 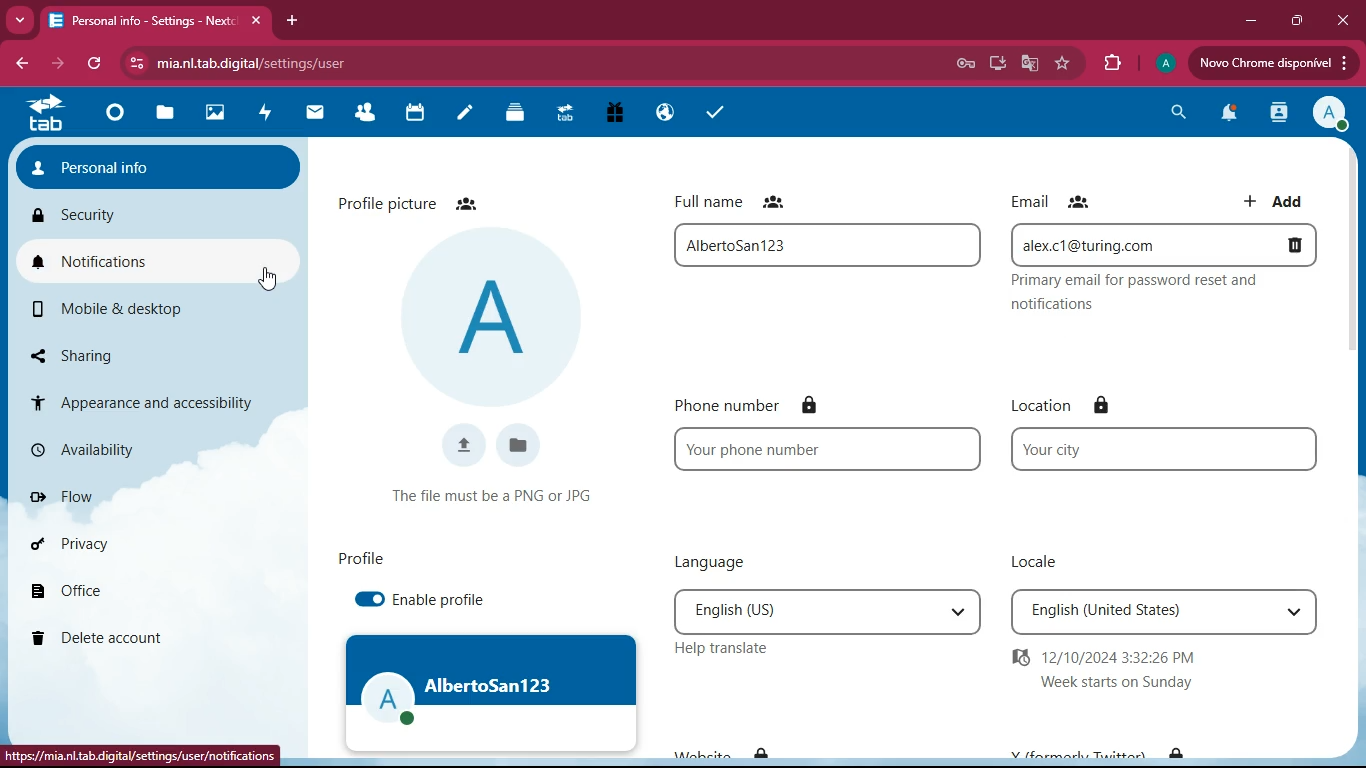 What do you see at coordinates (150, 402) in the screenshot?
I see `appearance` at bounding box center [150, 402].